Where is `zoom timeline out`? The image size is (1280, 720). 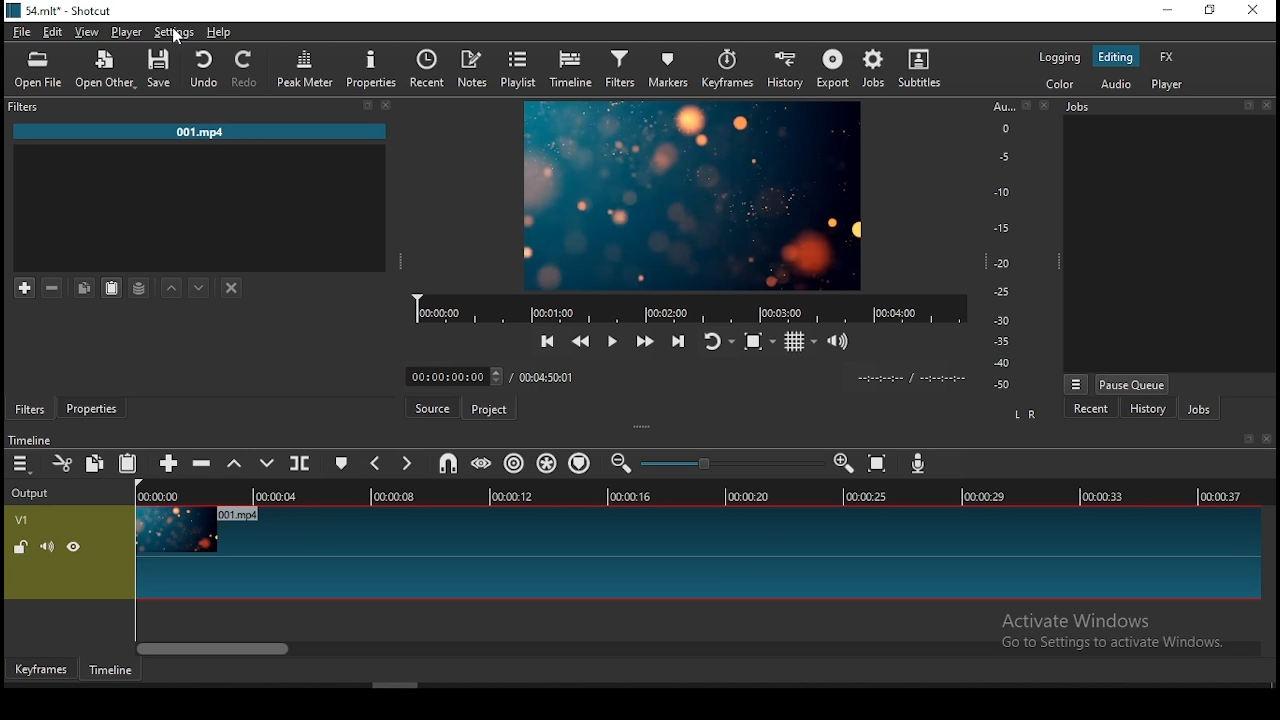
zoom timeline out is located at coordinates (846, 463).